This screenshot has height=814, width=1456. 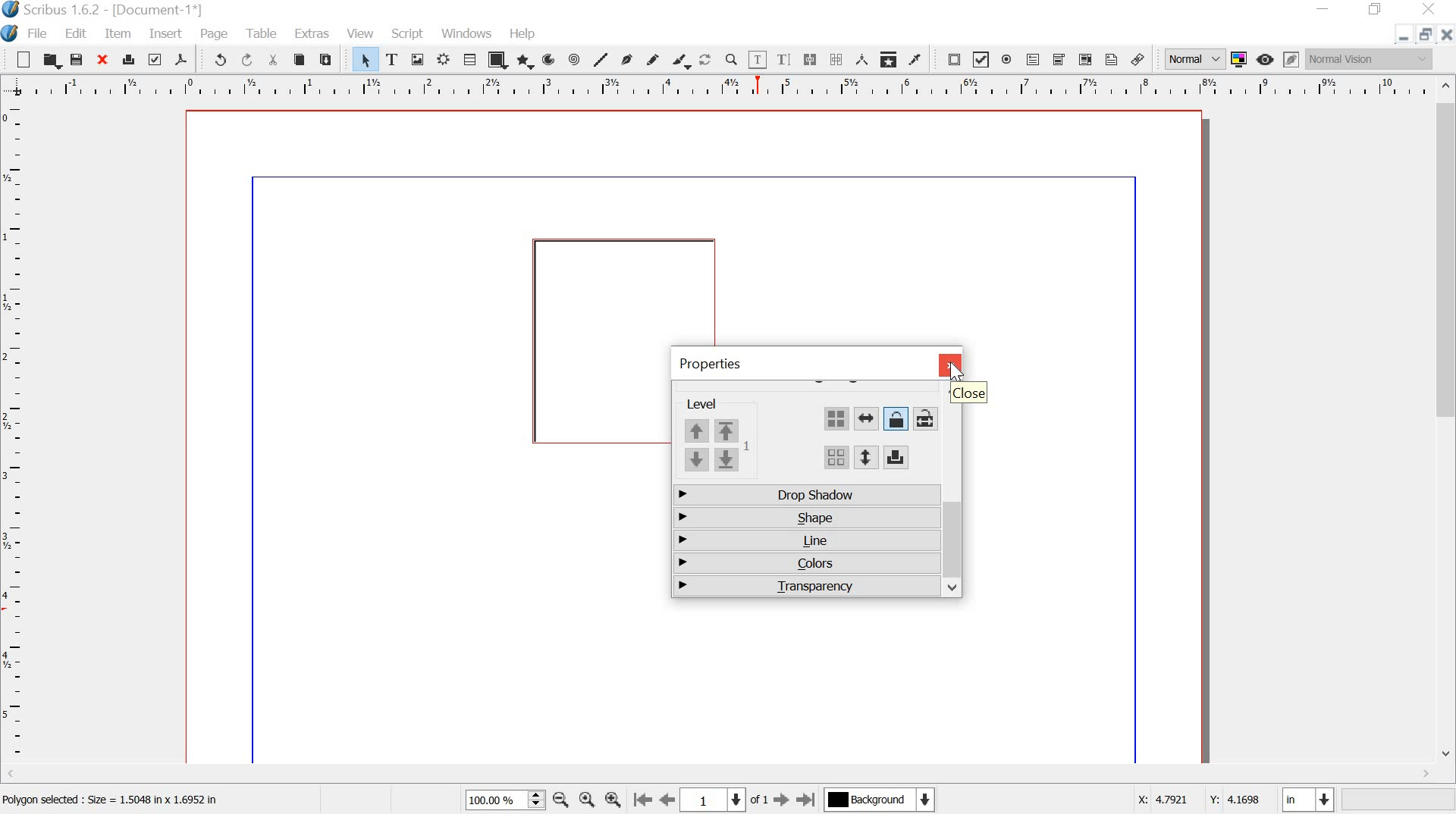 What do you see at coordinates (808, 799) in the screenshot?
I see `go to last page` at bounding box center [808, 799].